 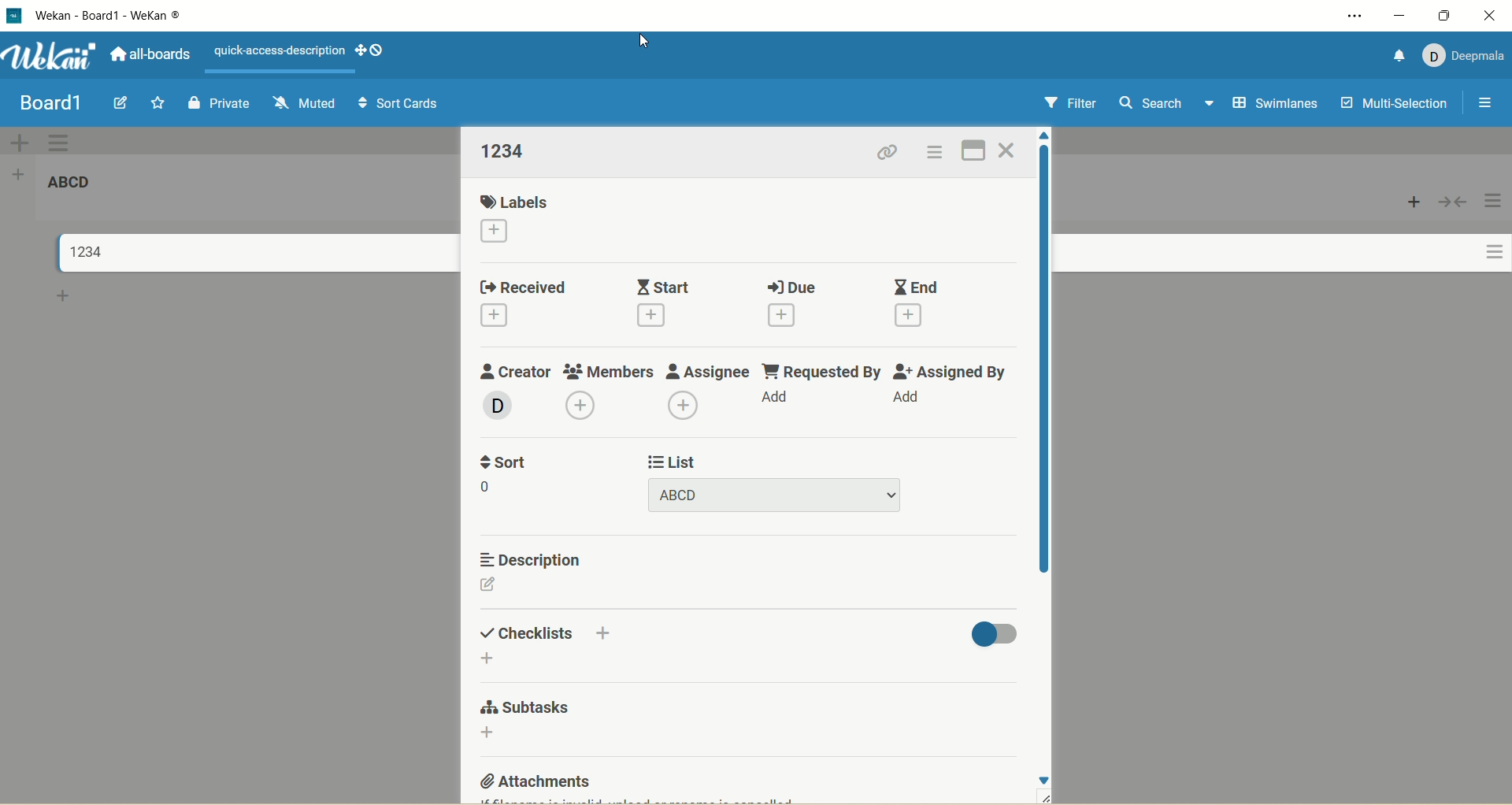 I want to click on labels, so click(x=508, y=199).